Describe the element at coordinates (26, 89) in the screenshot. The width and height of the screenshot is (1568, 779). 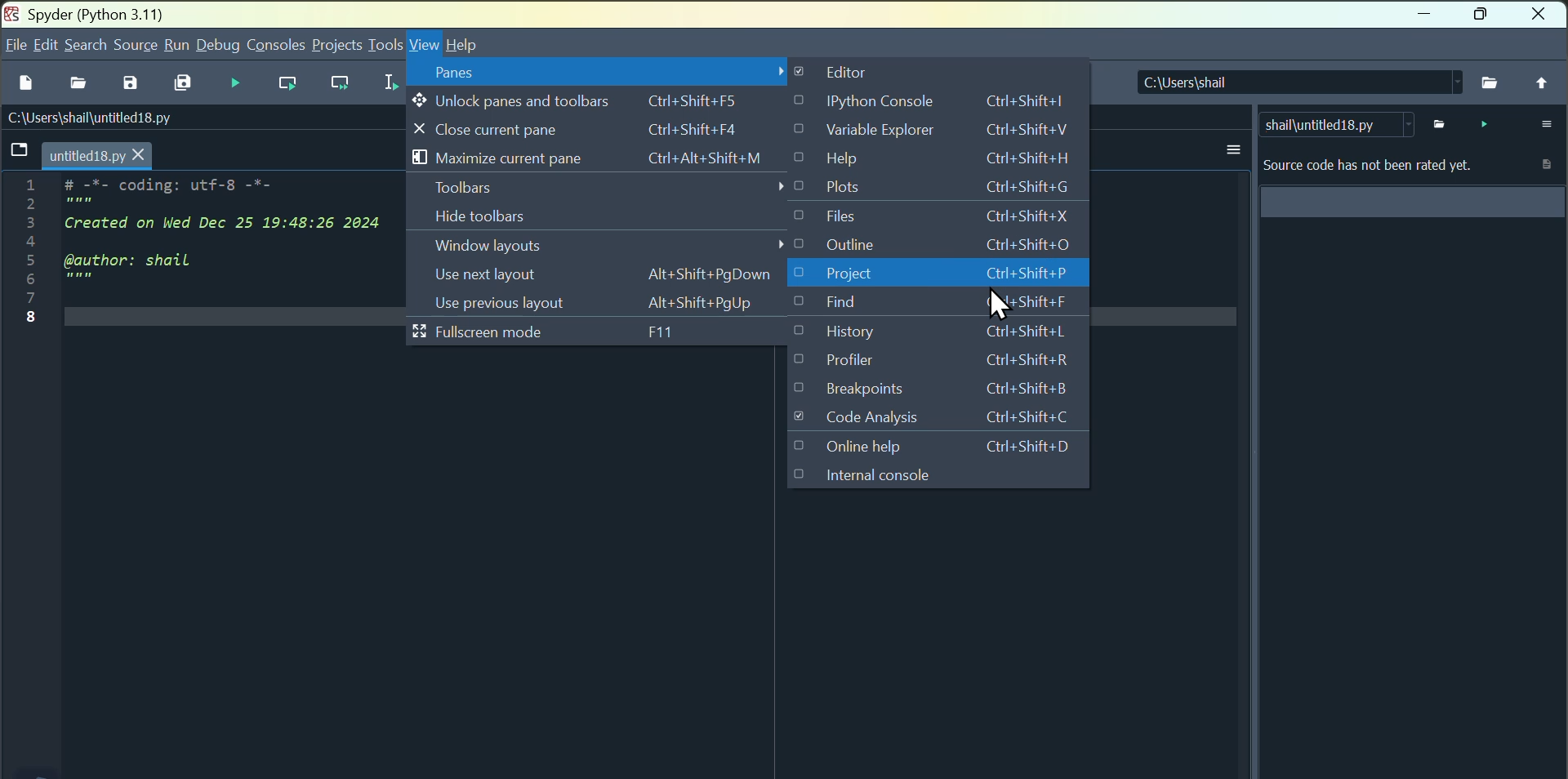
I see `New` at that location.